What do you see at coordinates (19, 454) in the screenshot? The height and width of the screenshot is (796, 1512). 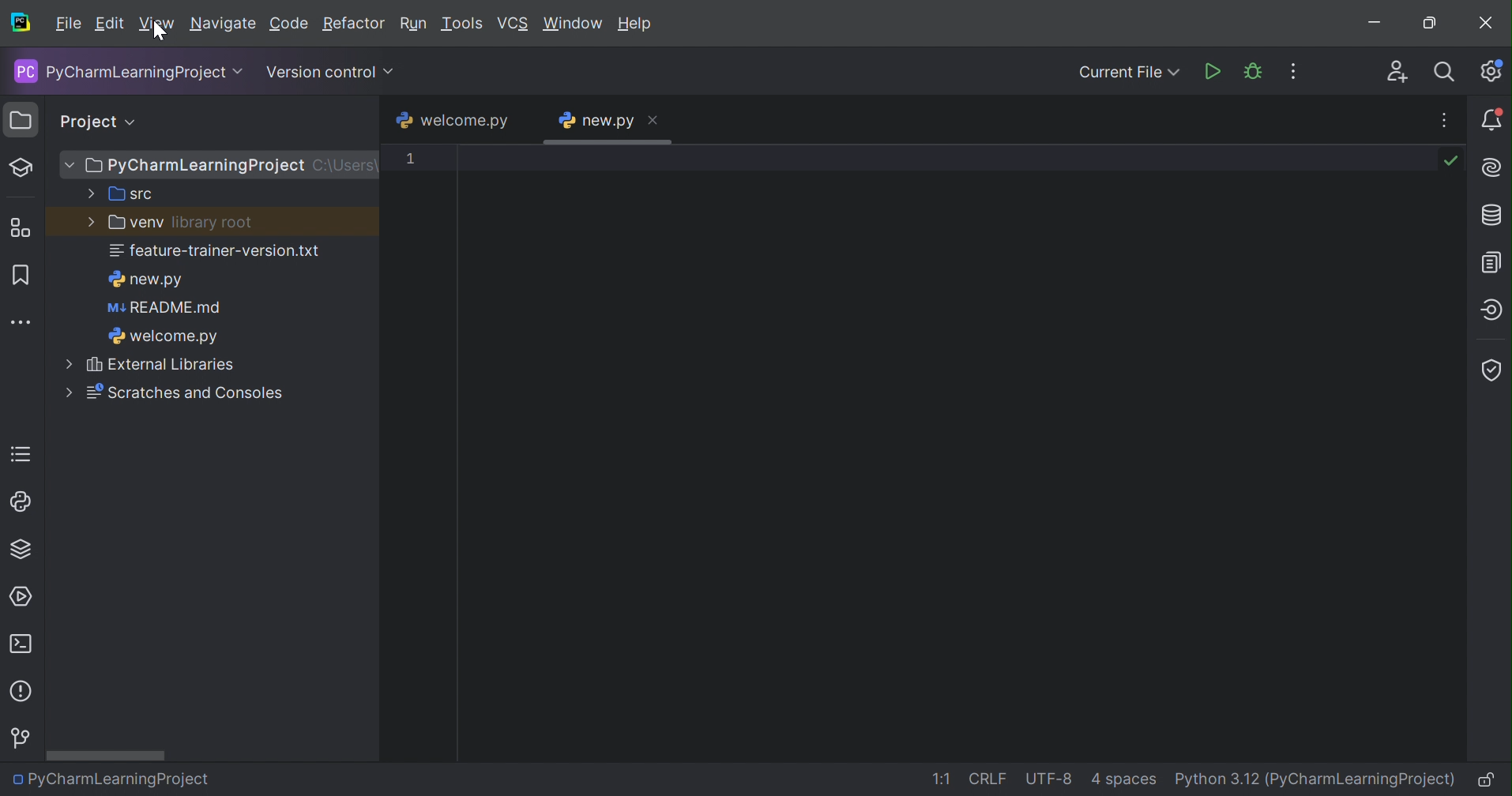 I see `TODO` at bounding box center [19, 454].